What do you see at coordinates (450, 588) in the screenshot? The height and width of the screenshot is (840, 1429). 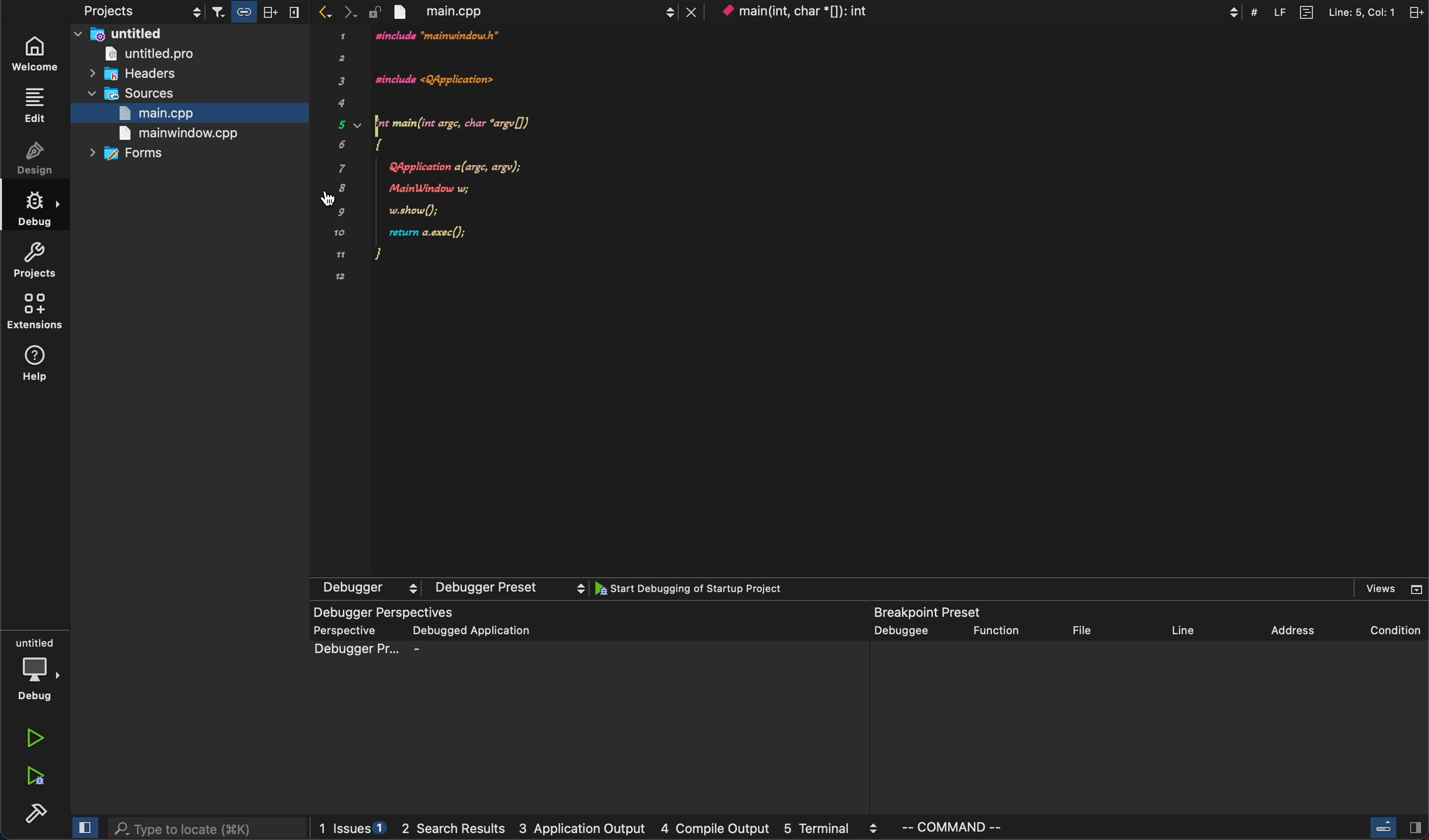 I see `debugger` at bounding box center [450, 588].